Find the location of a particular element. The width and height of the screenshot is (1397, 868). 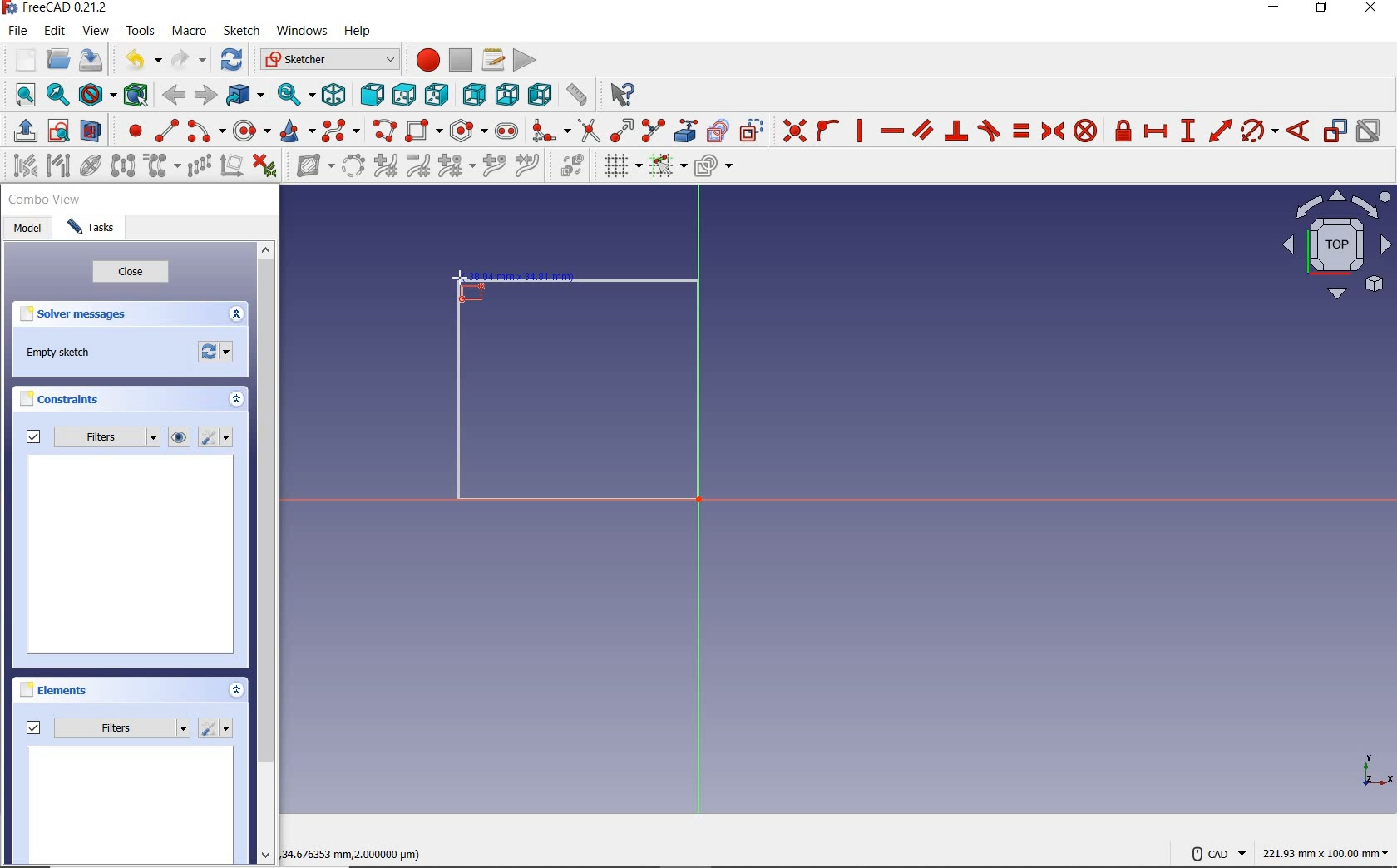

redo is located at coordinates (189, 60).